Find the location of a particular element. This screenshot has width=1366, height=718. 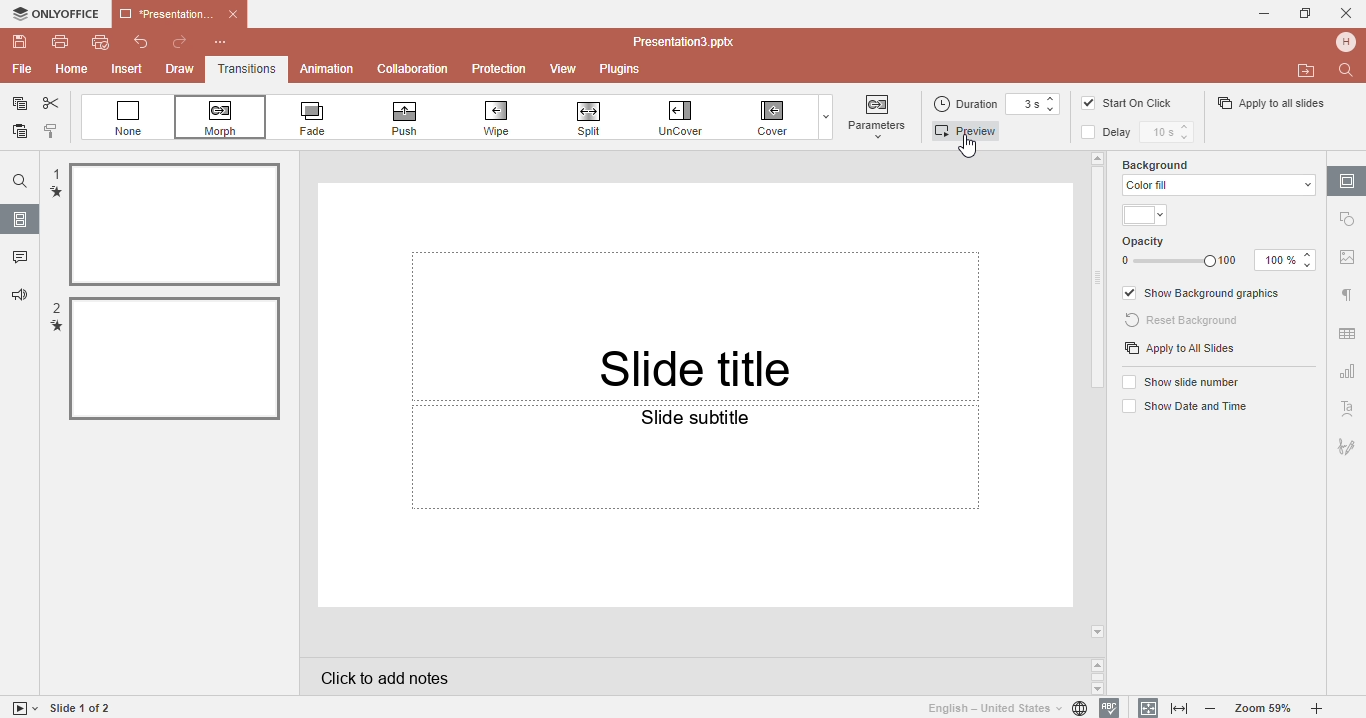

Show date and time is located at coordinates (1182, 408).